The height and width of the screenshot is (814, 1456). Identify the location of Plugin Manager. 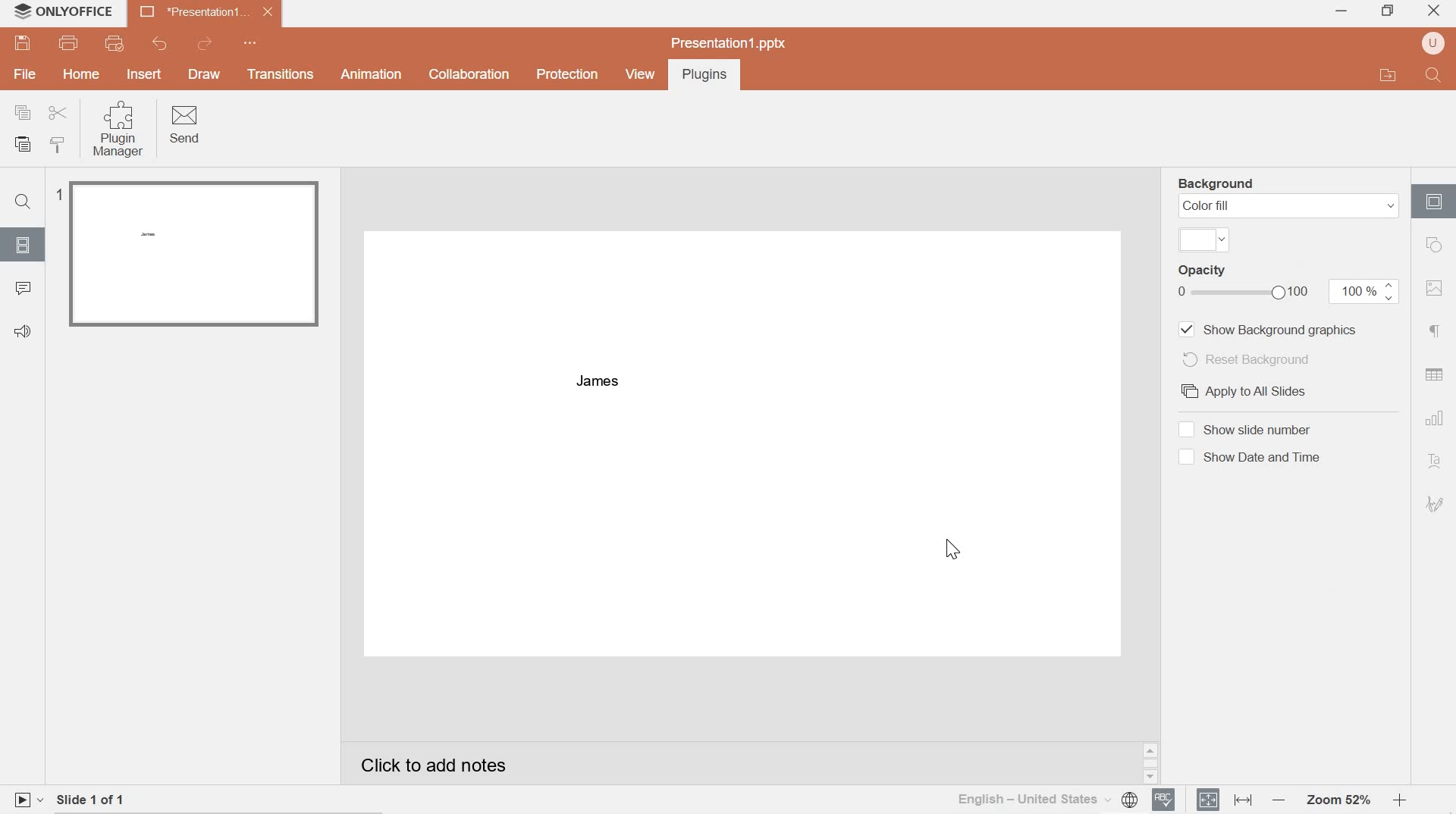
(121, 130).